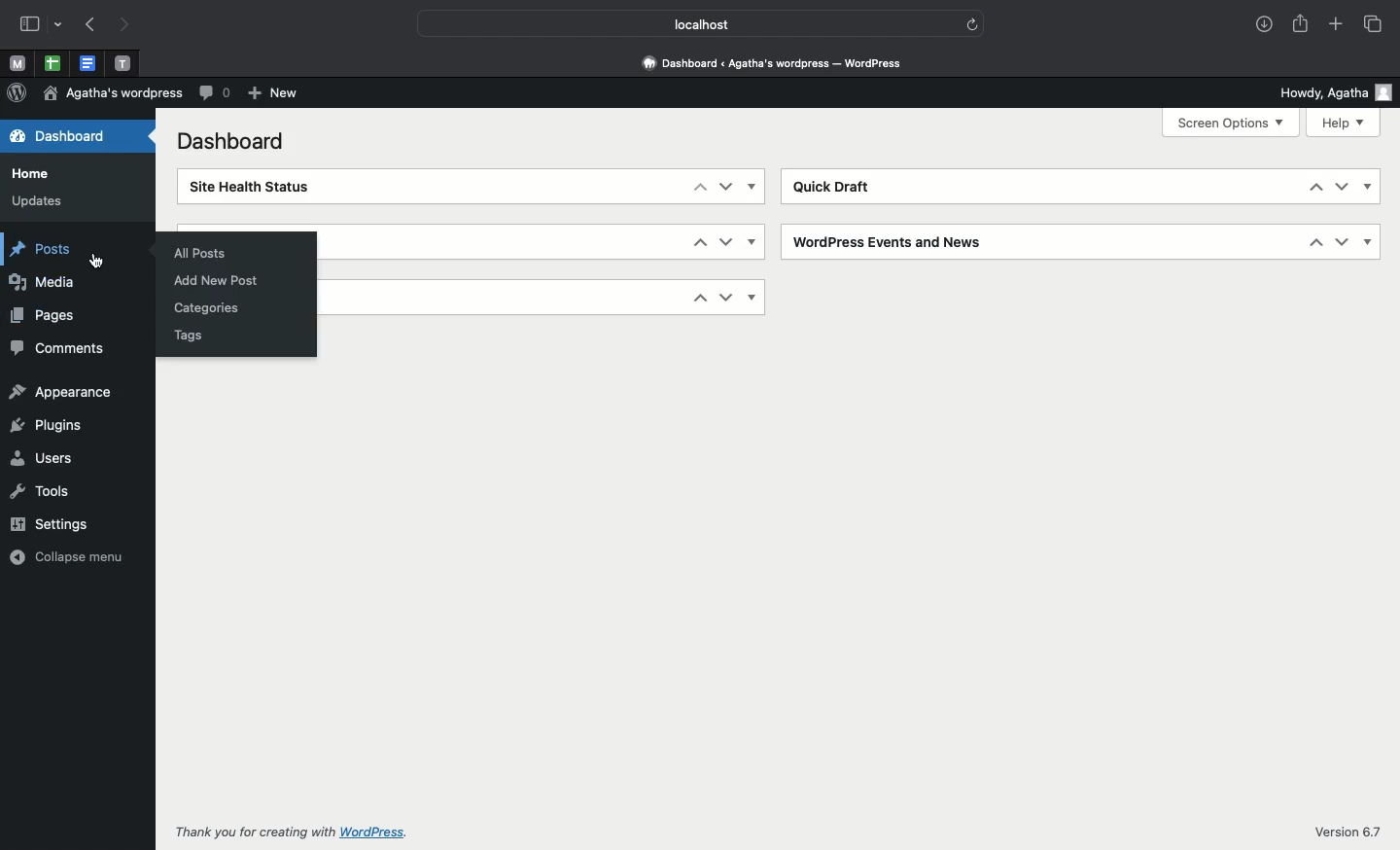 The height and width of the screenshot is (850, 1400). What do you see at coordinates (1344, 123) in the screenshot?
I see `Help` at bounding box center [1344, 123].